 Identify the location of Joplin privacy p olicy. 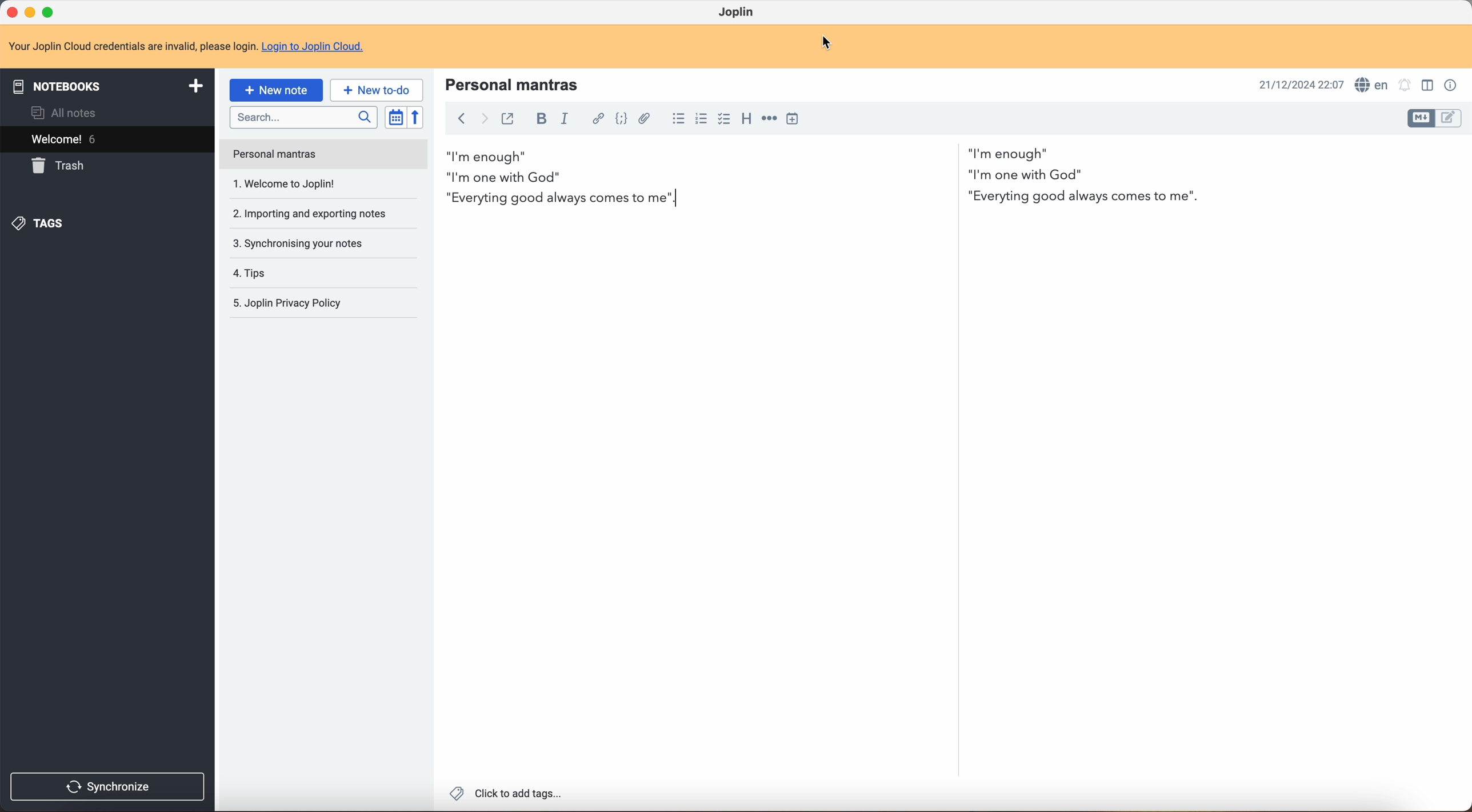
(286, 303).